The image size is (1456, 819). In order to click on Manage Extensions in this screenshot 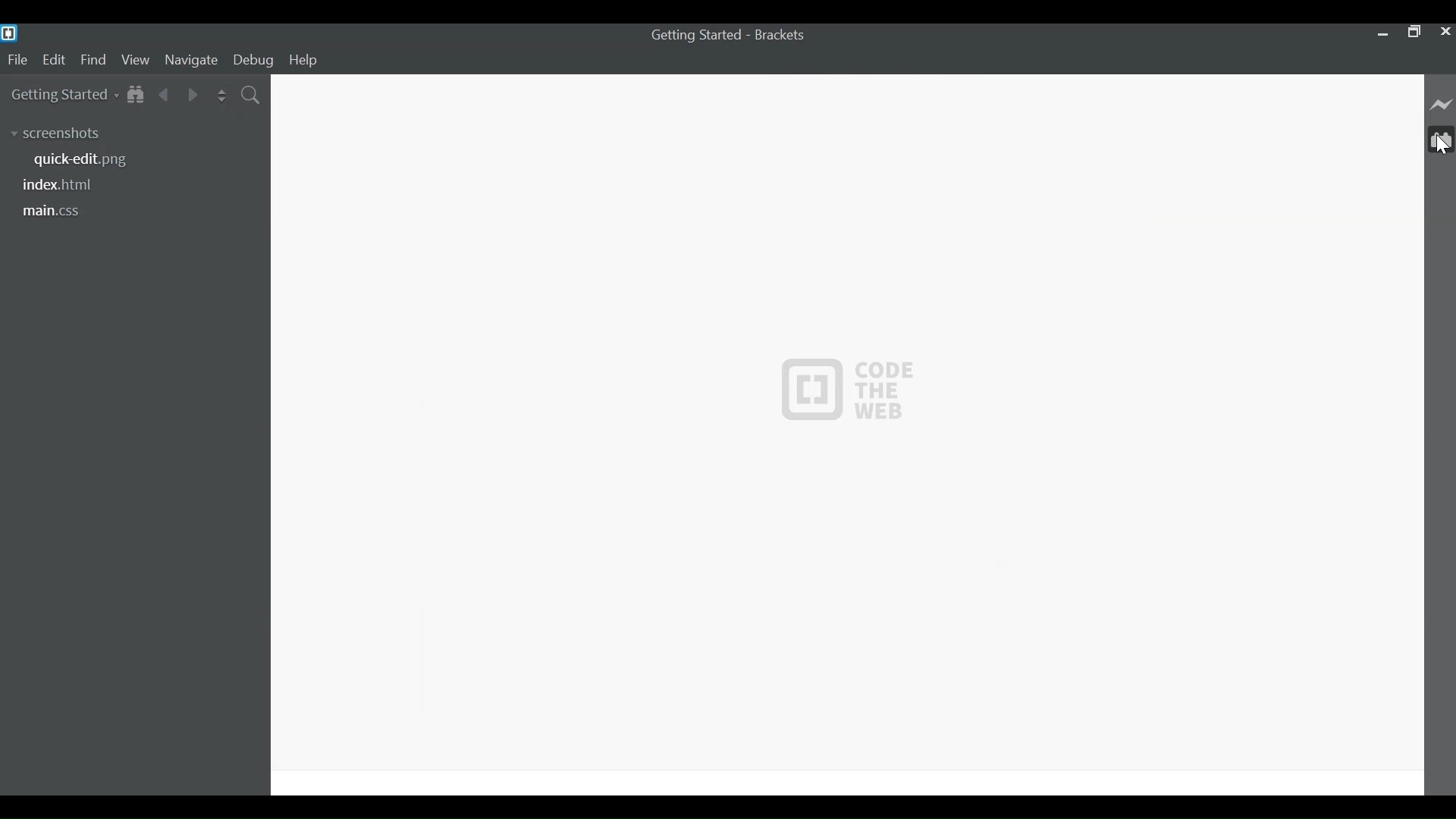, I will do `click(1443, 139)`.